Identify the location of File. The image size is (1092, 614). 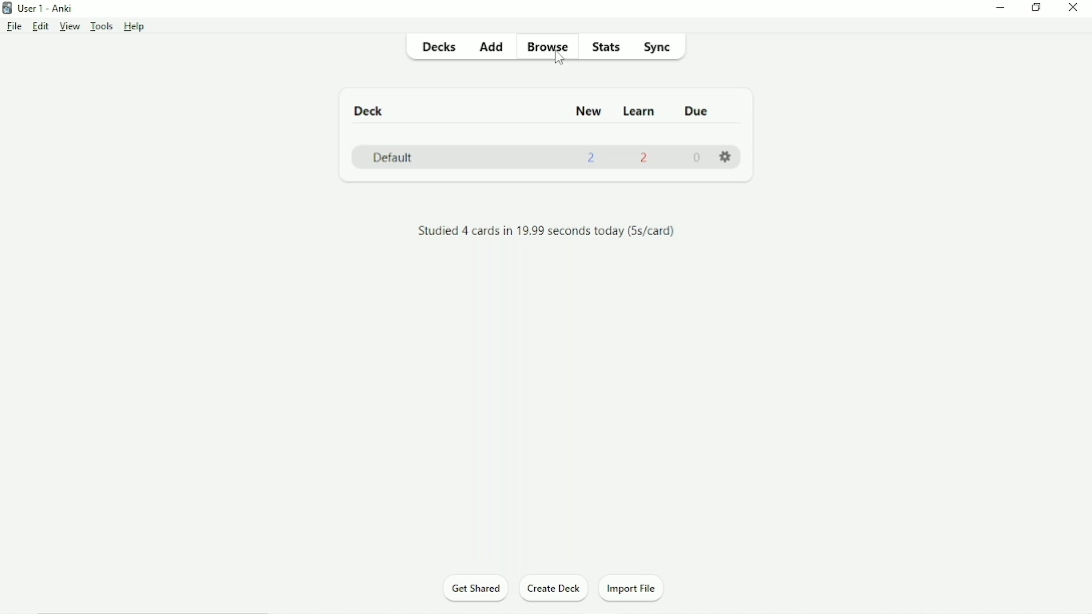
(15, 27).